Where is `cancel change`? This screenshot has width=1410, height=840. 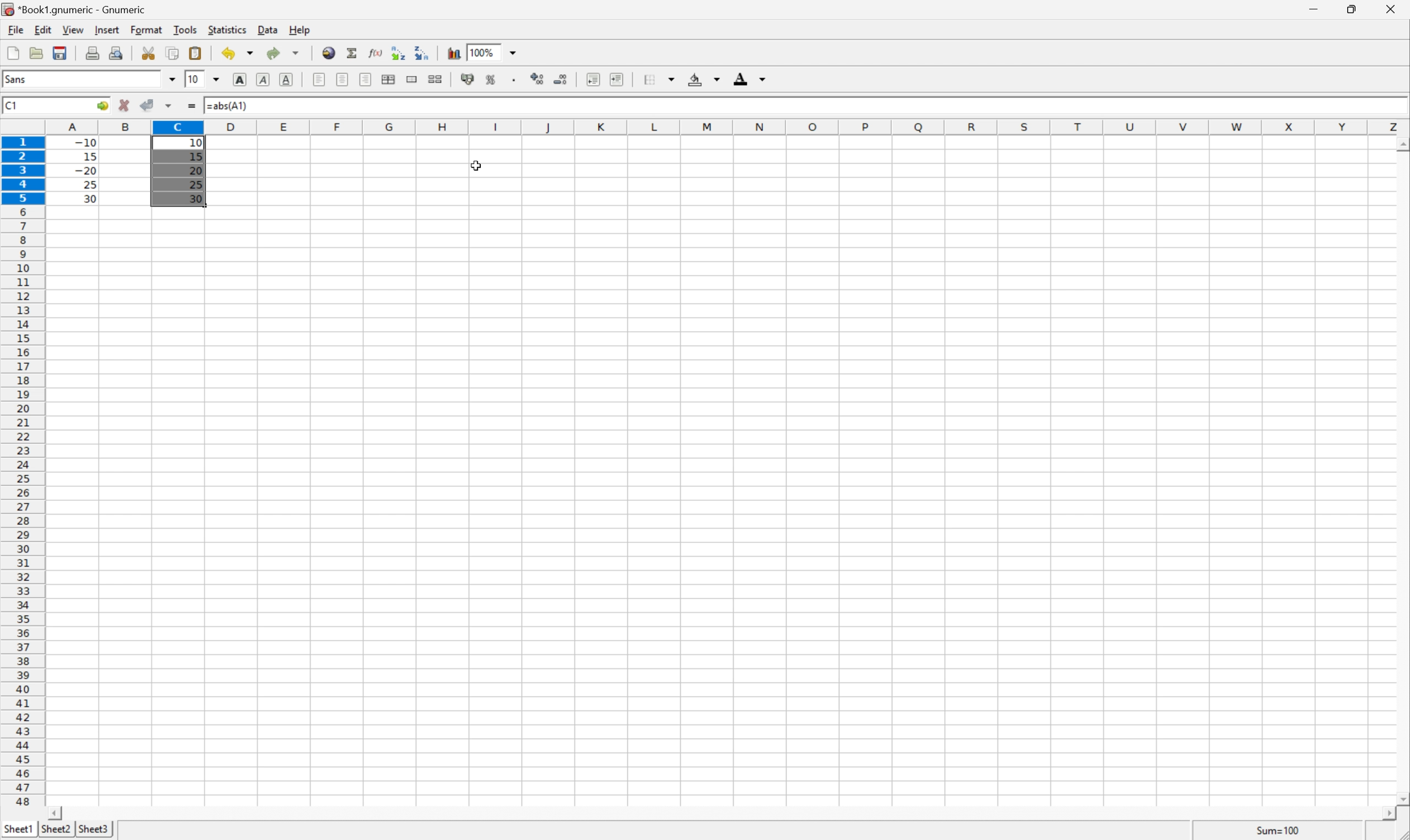 cancel change is located at coordinates (125, 108).